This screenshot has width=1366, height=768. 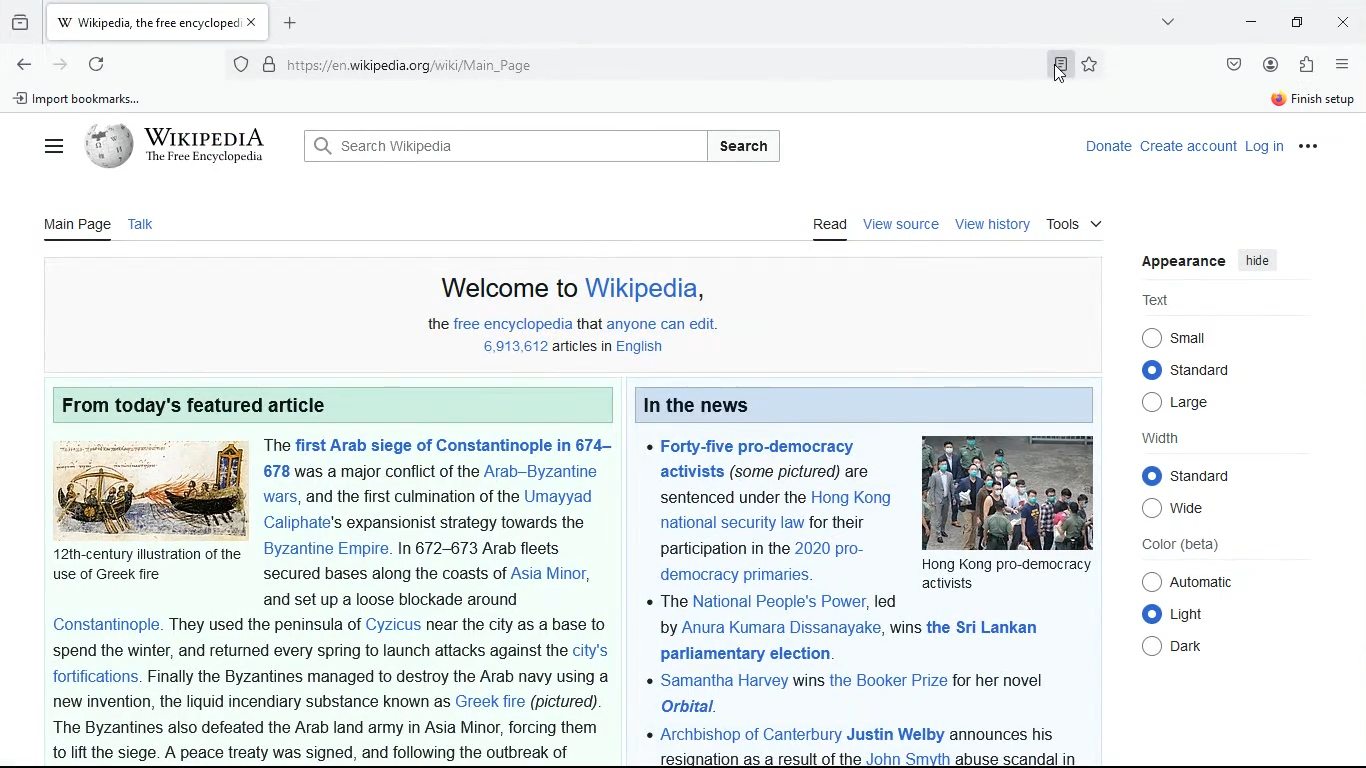 What do you see at coordinates (1007, 573) in the screenshot?
I see `photo description` at bounding box center [1007, 573].